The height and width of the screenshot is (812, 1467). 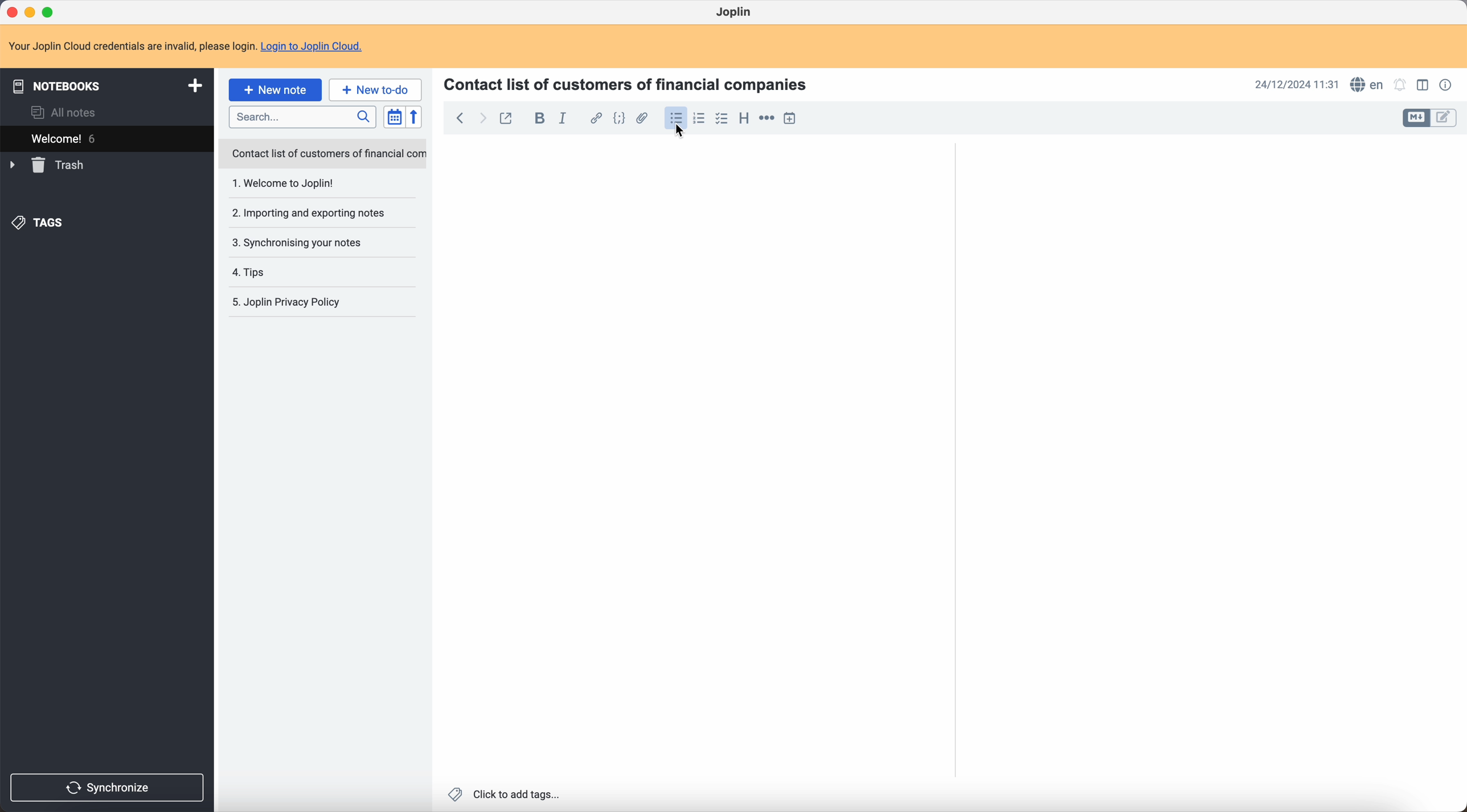 I want to click on minimize, so click(x=30, y=11).